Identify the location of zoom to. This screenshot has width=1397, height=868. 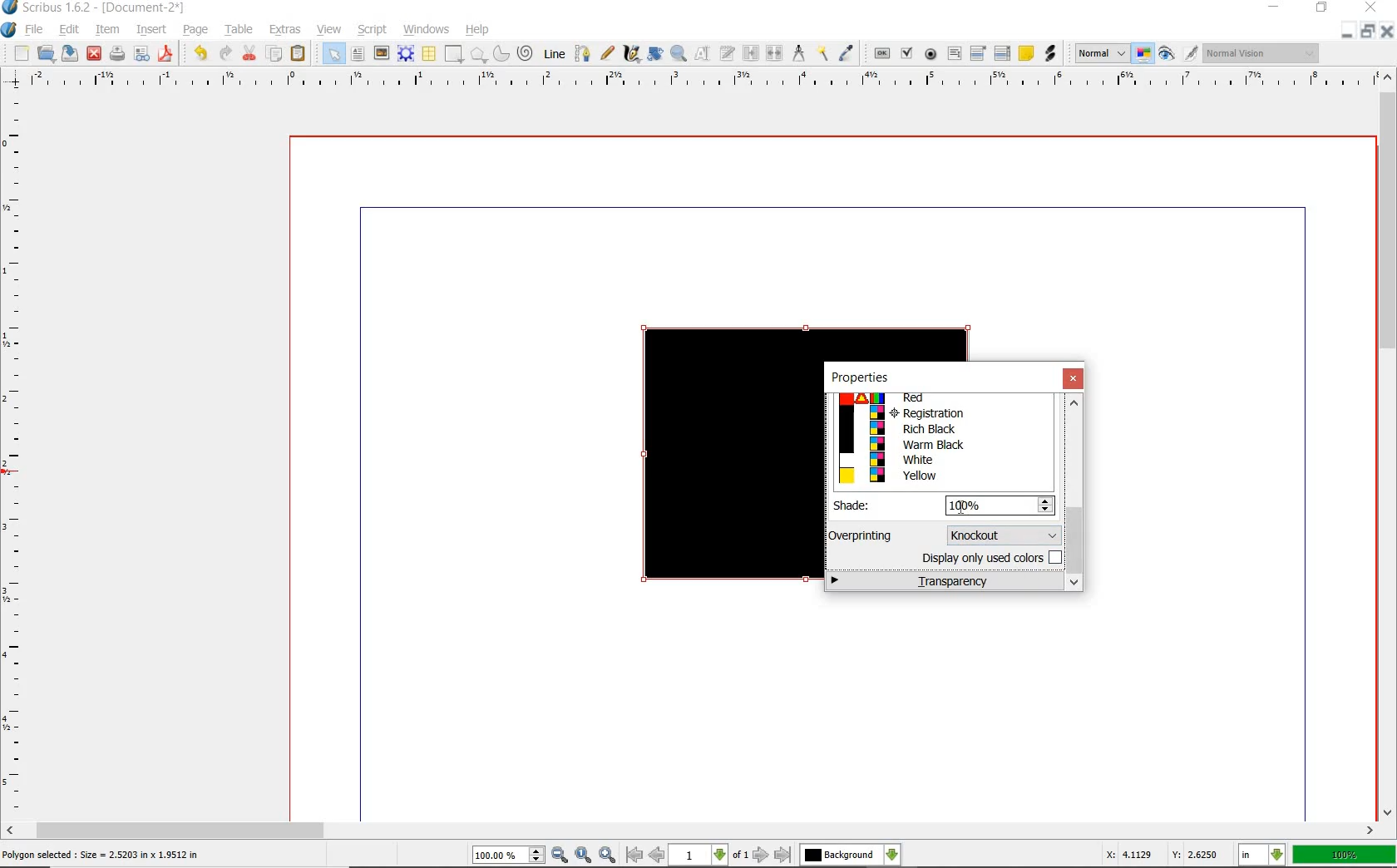
(583, 855).